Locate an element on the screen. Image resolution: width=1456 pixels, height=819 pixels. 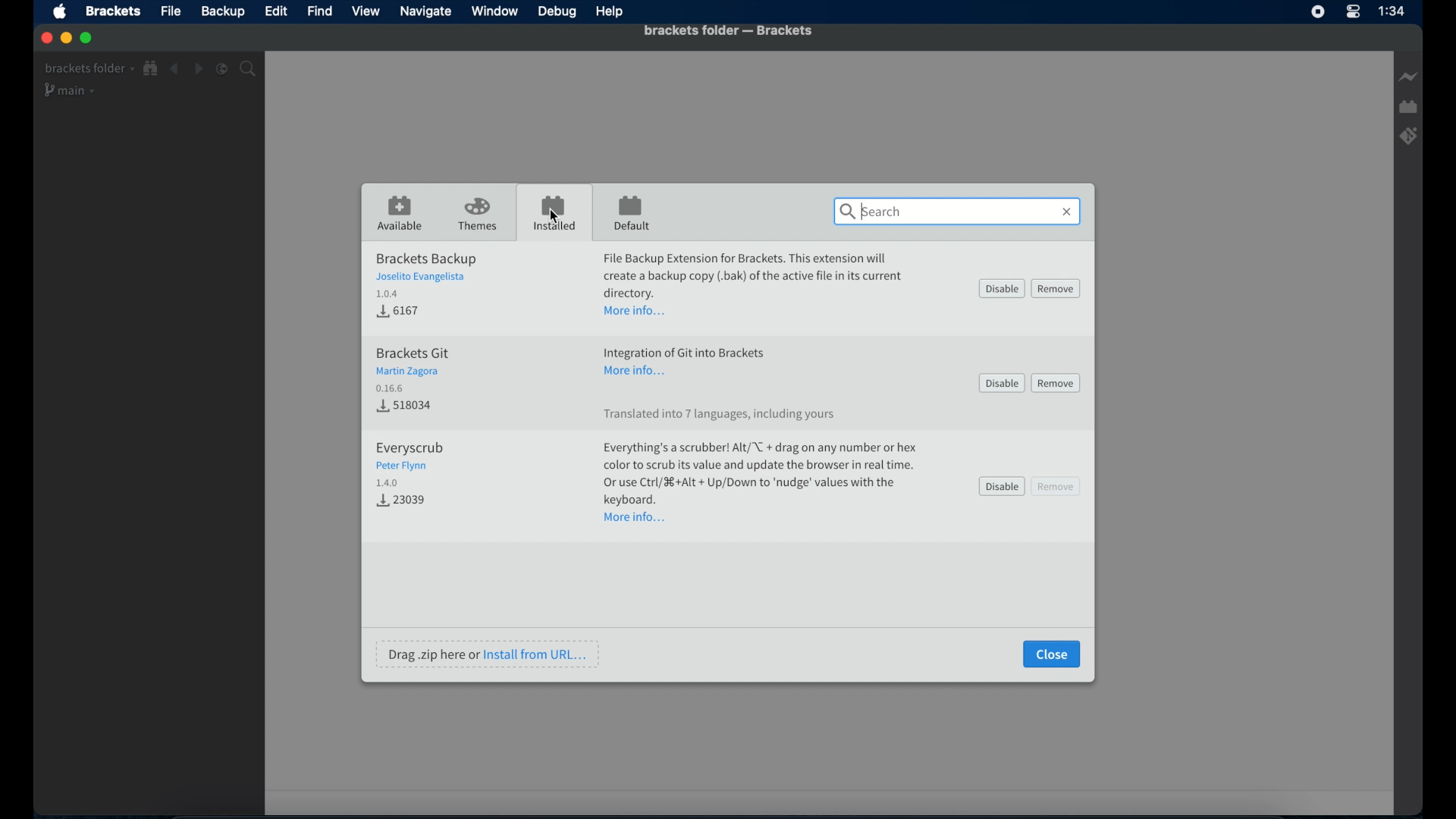
translated into 7 languages, including yours is located at coordinates (723, 415).